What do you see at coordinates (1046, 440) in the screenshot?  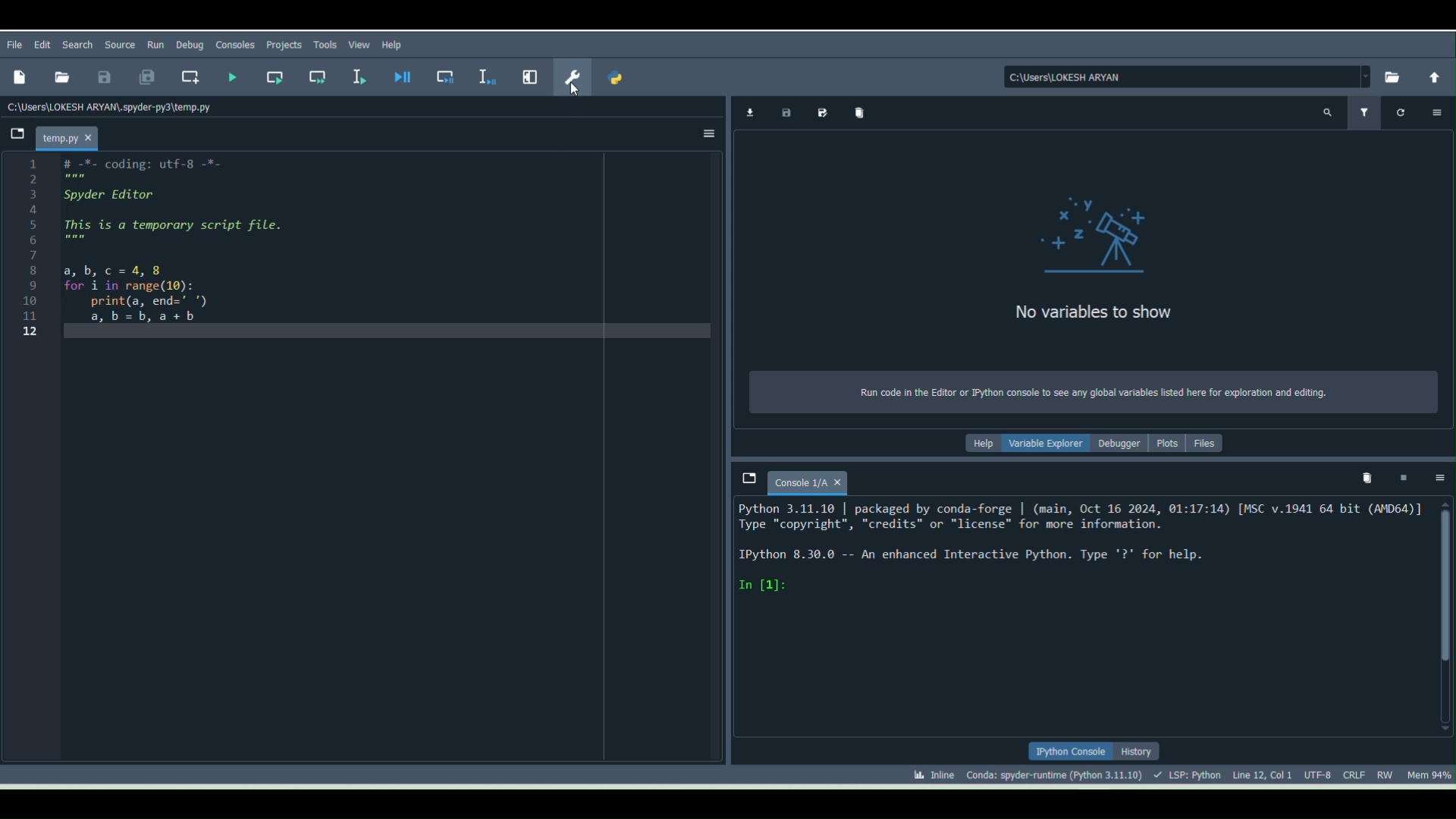 I see `Variable explorer` at bounding box center [1046, 440].